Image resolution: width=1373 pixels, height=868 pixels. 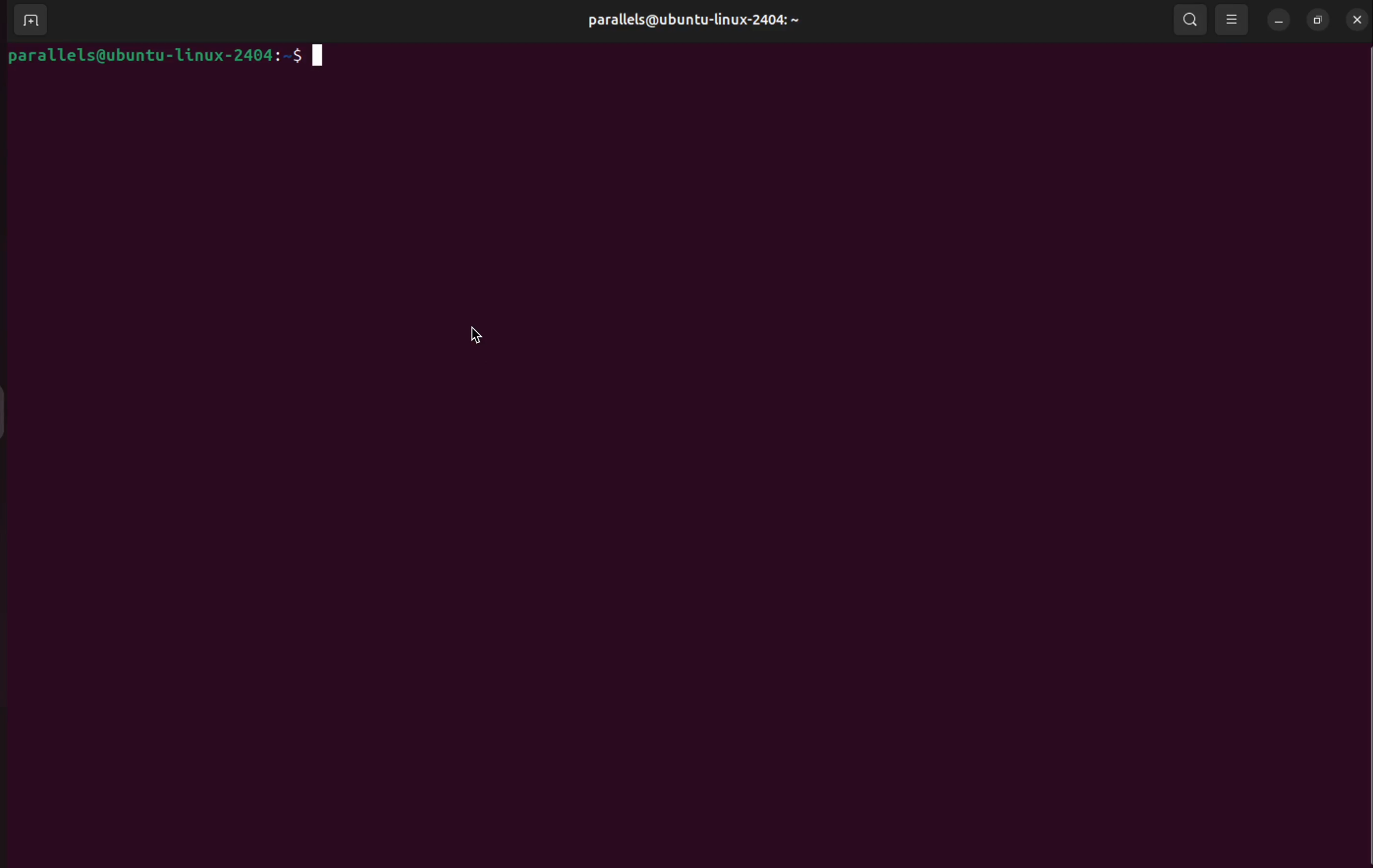 What do you see at coordinates (702, 25) in the screenshot?
I see `parallels@ubuntu-linux-2404: ~` at bounding box center [702, 25].